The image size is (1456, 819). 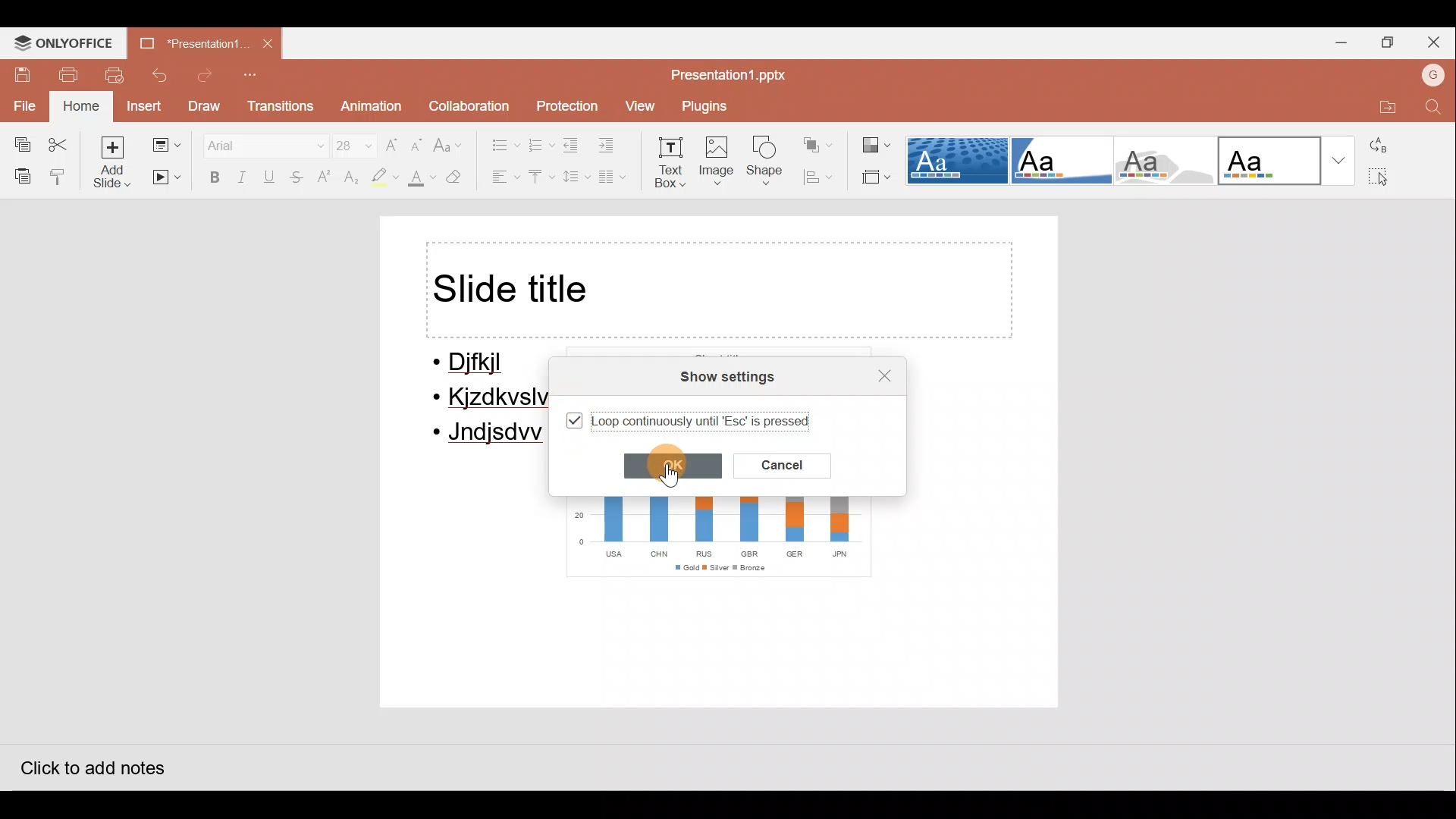 I want to click on Copy, so click(x=21, y=145).